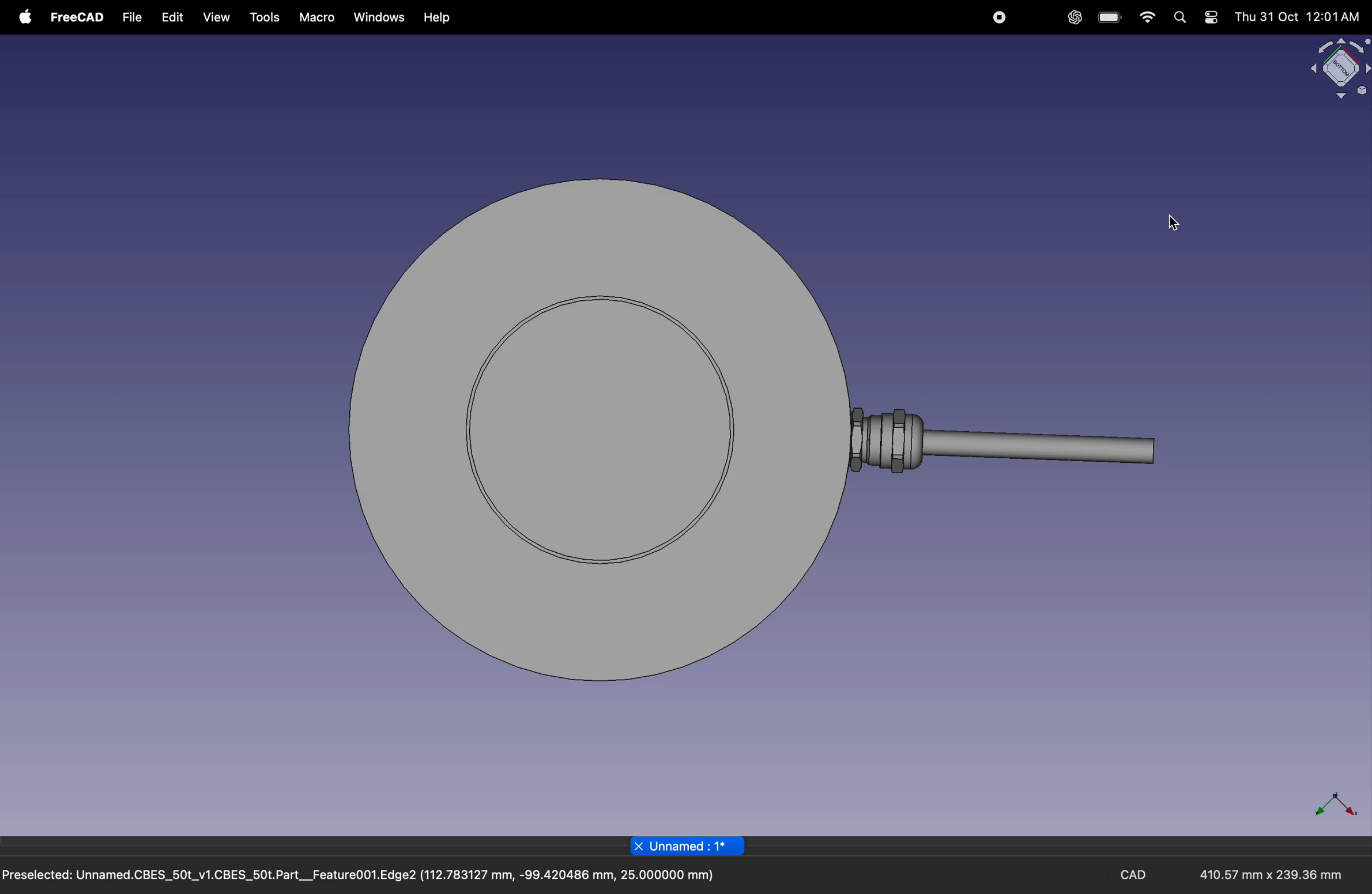 This screenshot has height=894, width=1372. Describe the element at coordinates (1111, 18) in the screenshot. I see `battery` at that location.